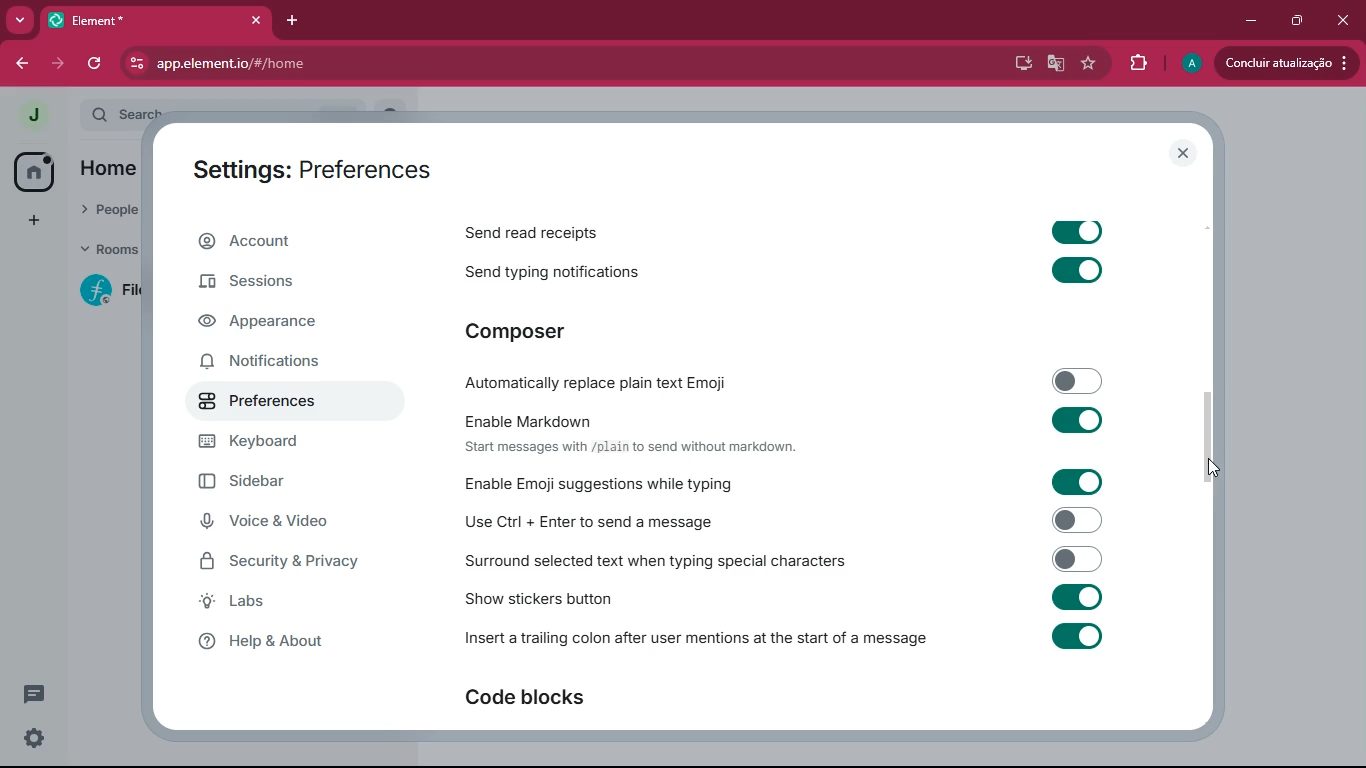  I want to click on forward, so click(61, 64).